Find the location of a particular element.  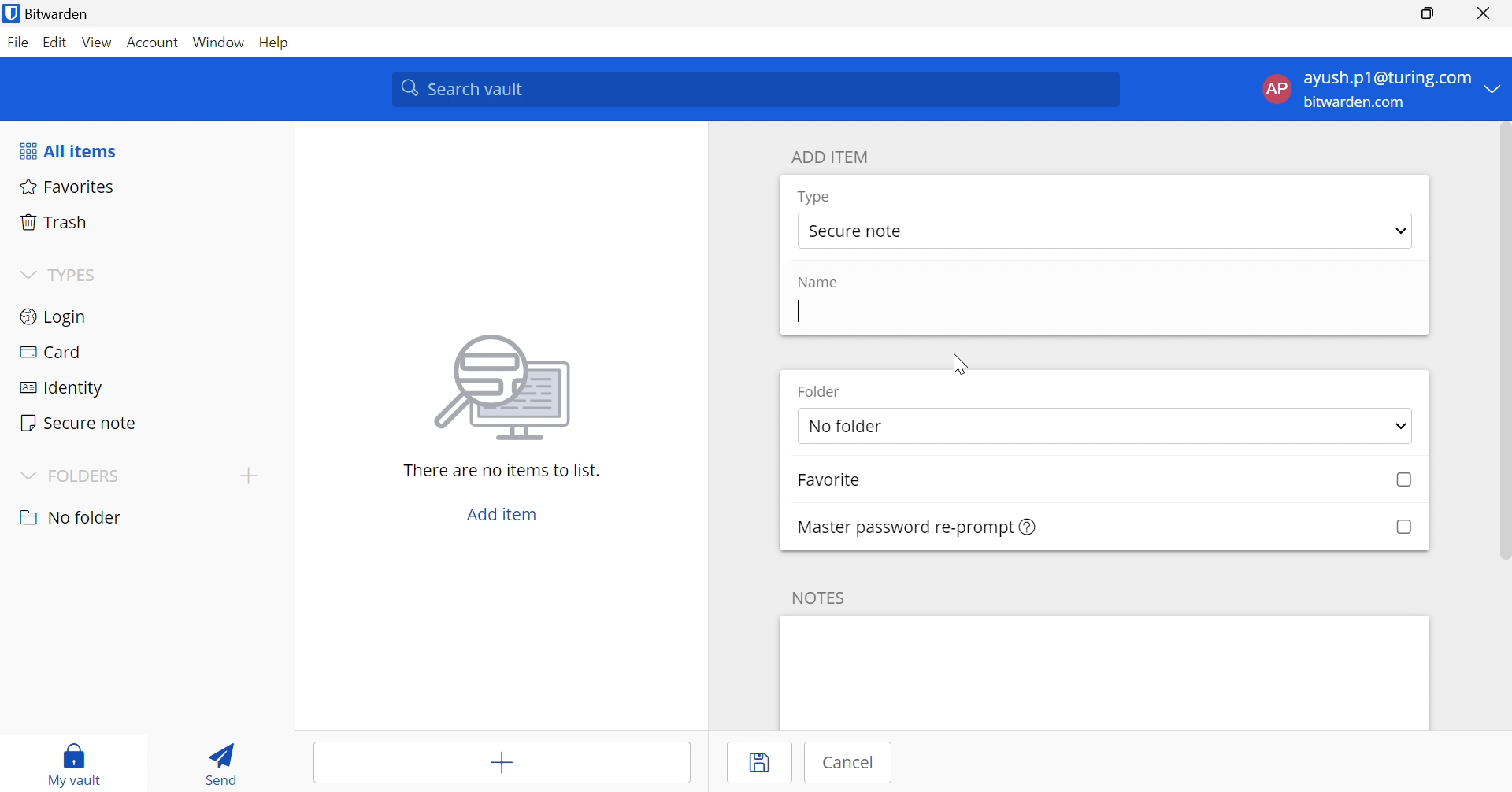

select type is located at coordinates (1105, 231).